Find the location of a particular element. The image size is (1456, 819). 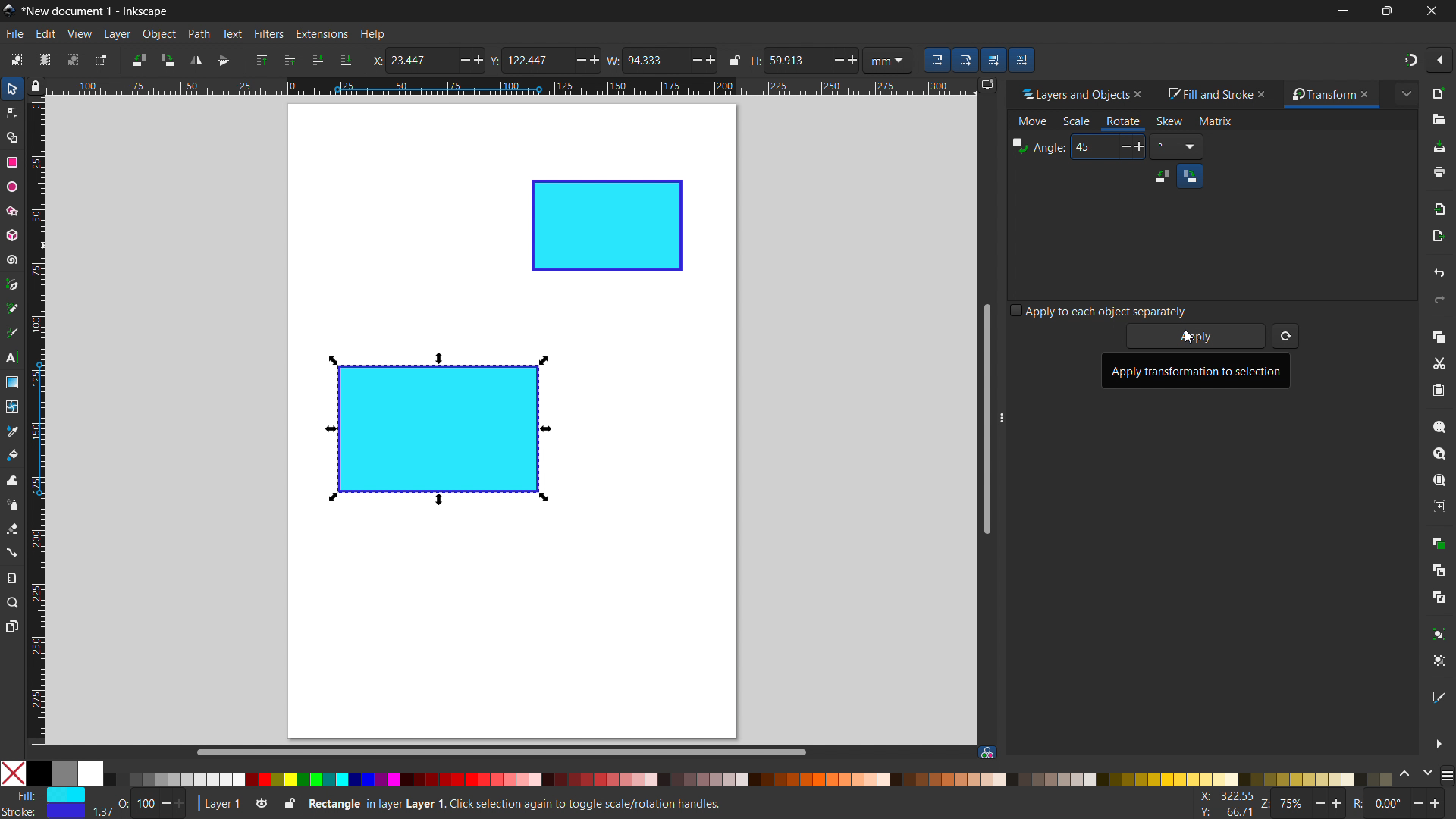

import is located at coordinates (1441, 208).